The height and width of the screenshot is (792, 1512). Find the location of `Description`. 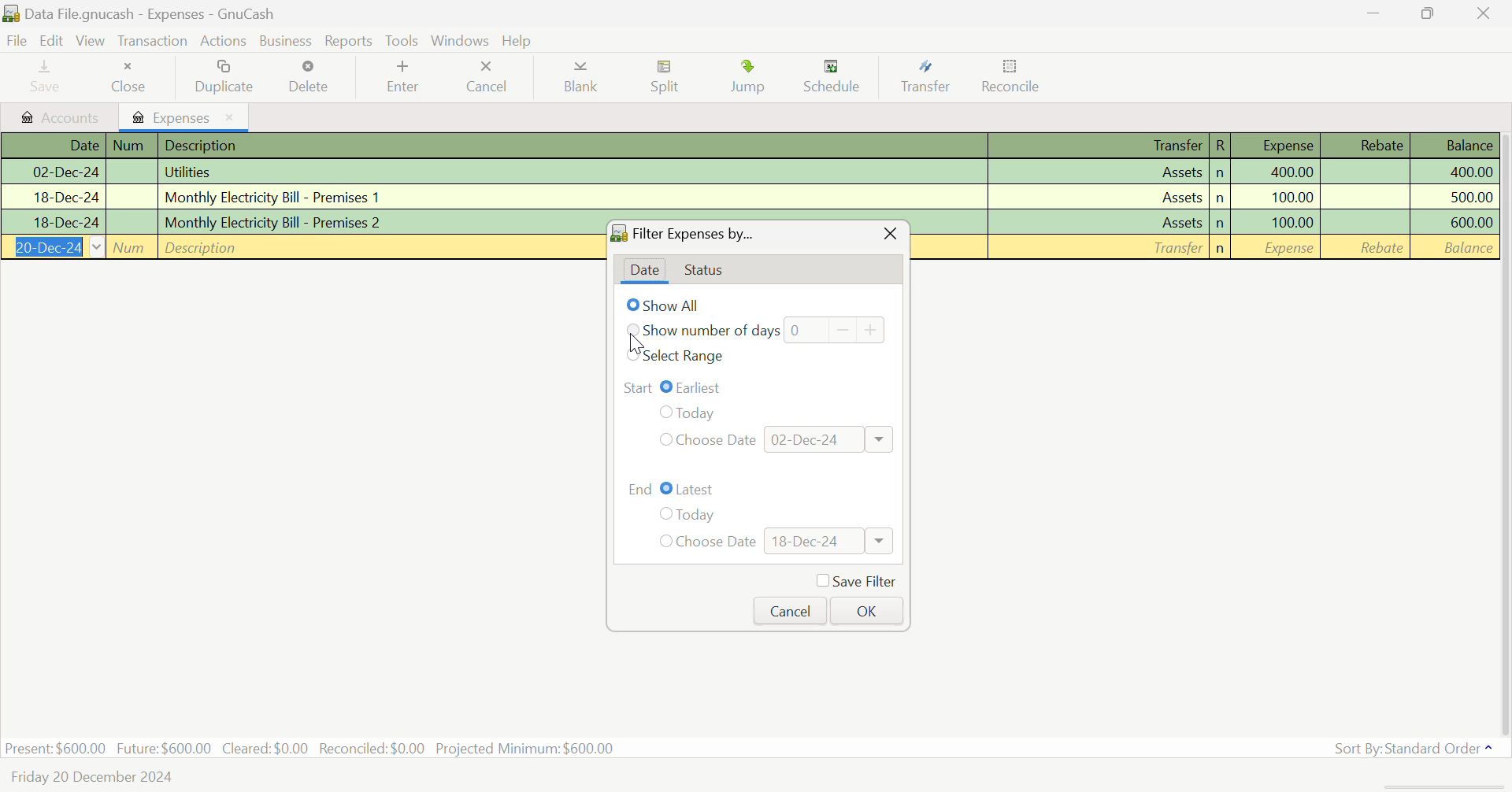

Description is located at coordinates (381, 248).